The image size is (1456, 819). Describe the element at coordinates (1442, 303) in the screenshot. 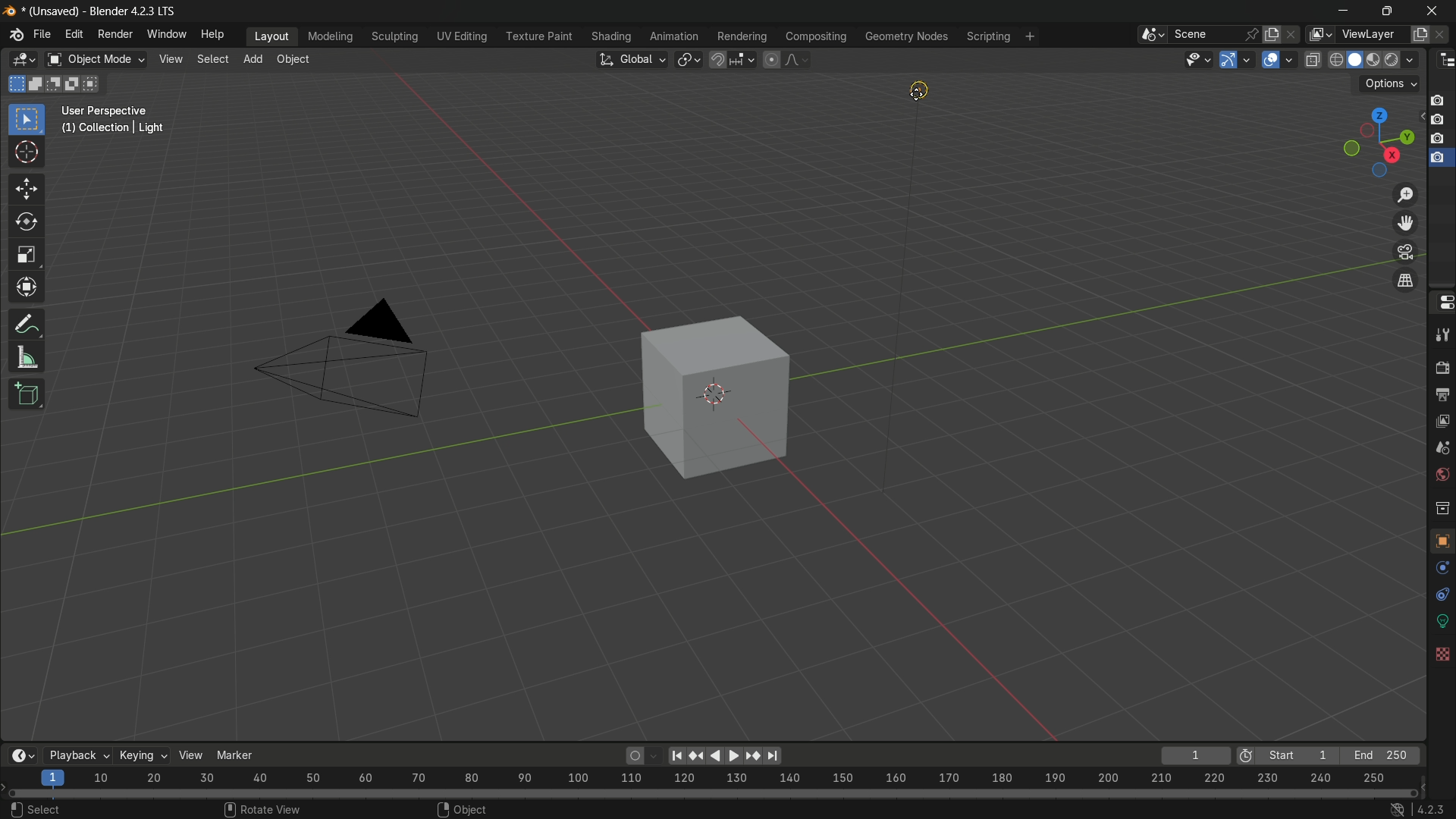

I see `properties` at that location.